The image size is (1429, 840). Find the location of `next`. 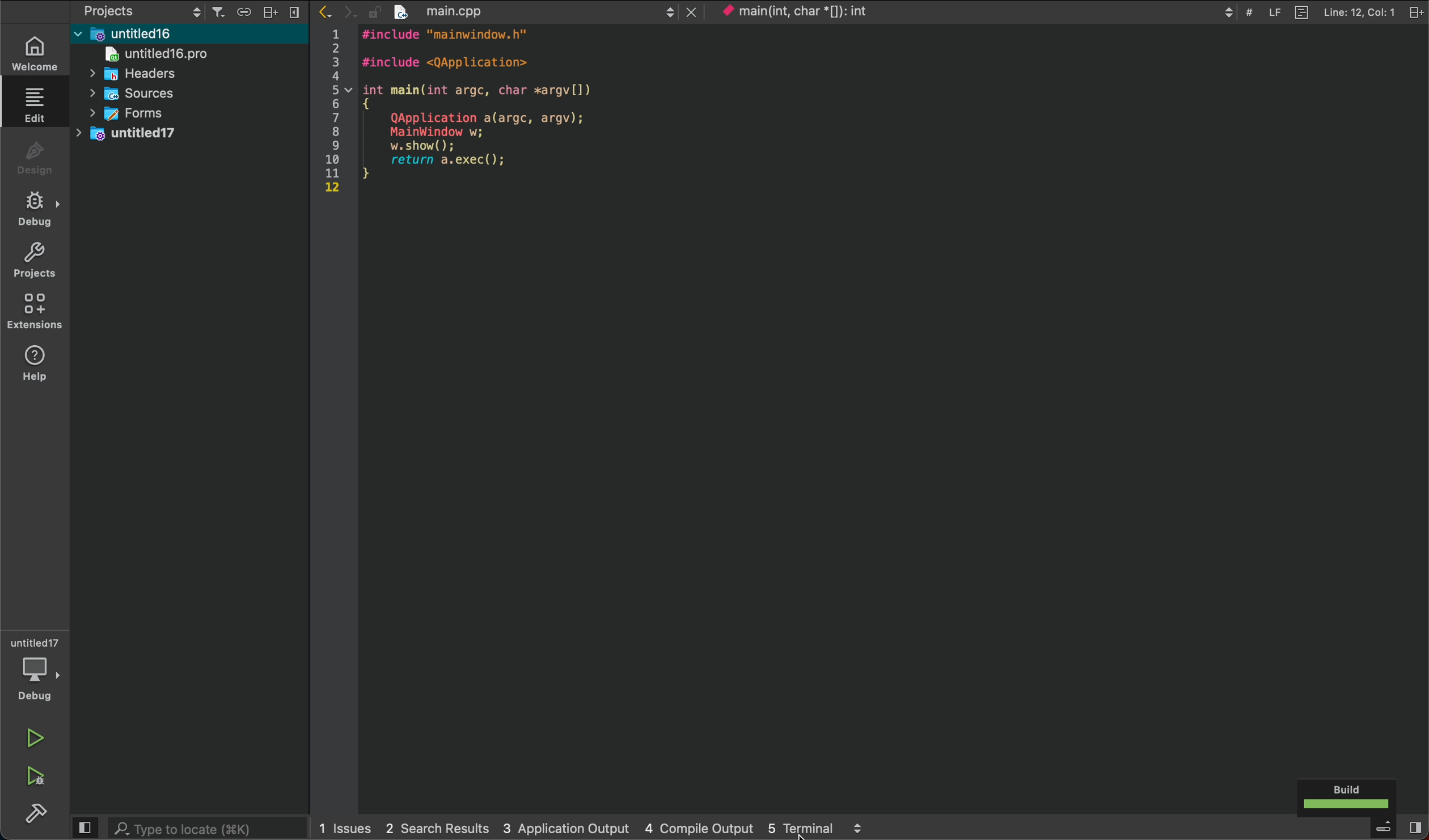

next is located at coordinates (352, 13).